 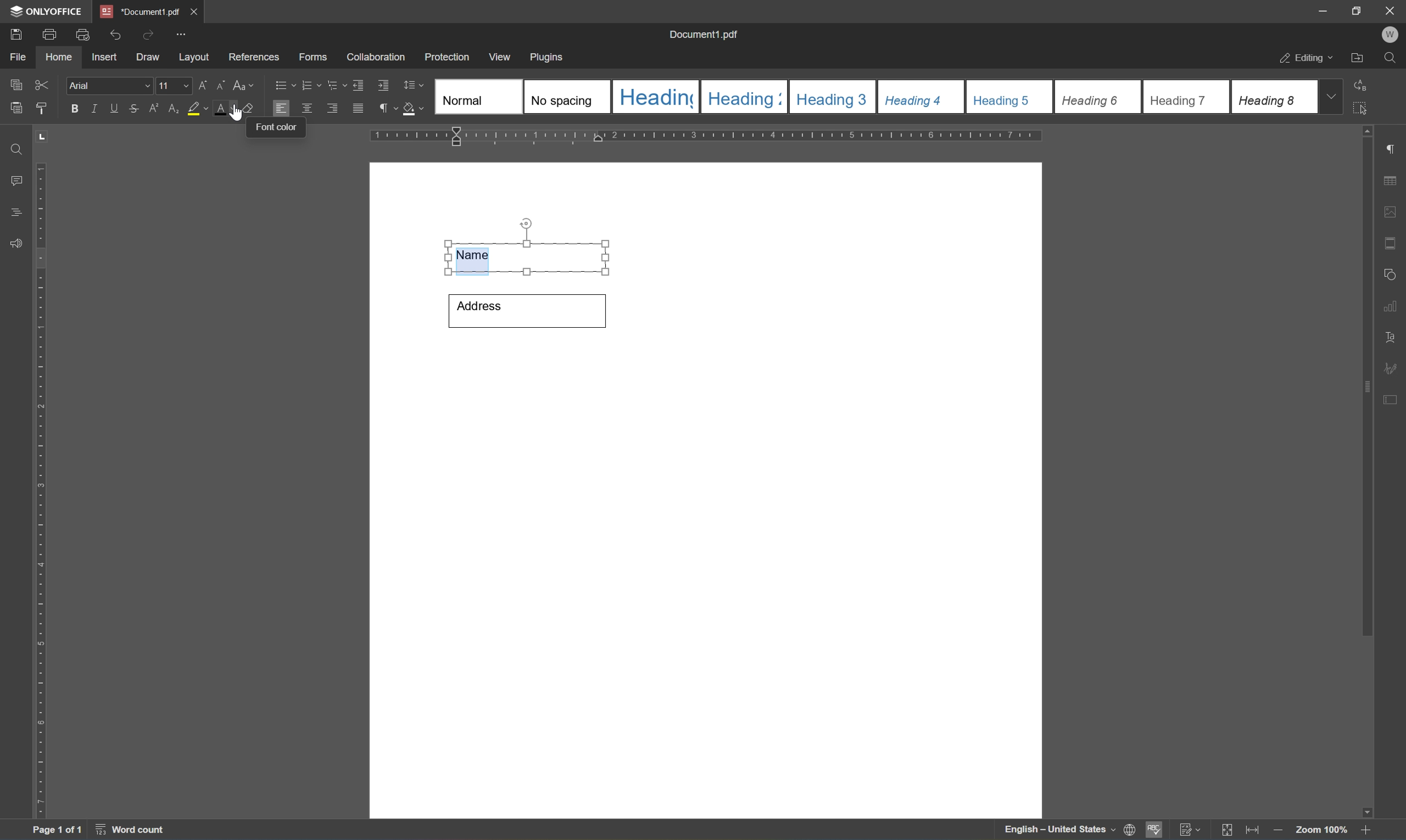 I want to click on document1.pdf, so click(x=704, y=33).